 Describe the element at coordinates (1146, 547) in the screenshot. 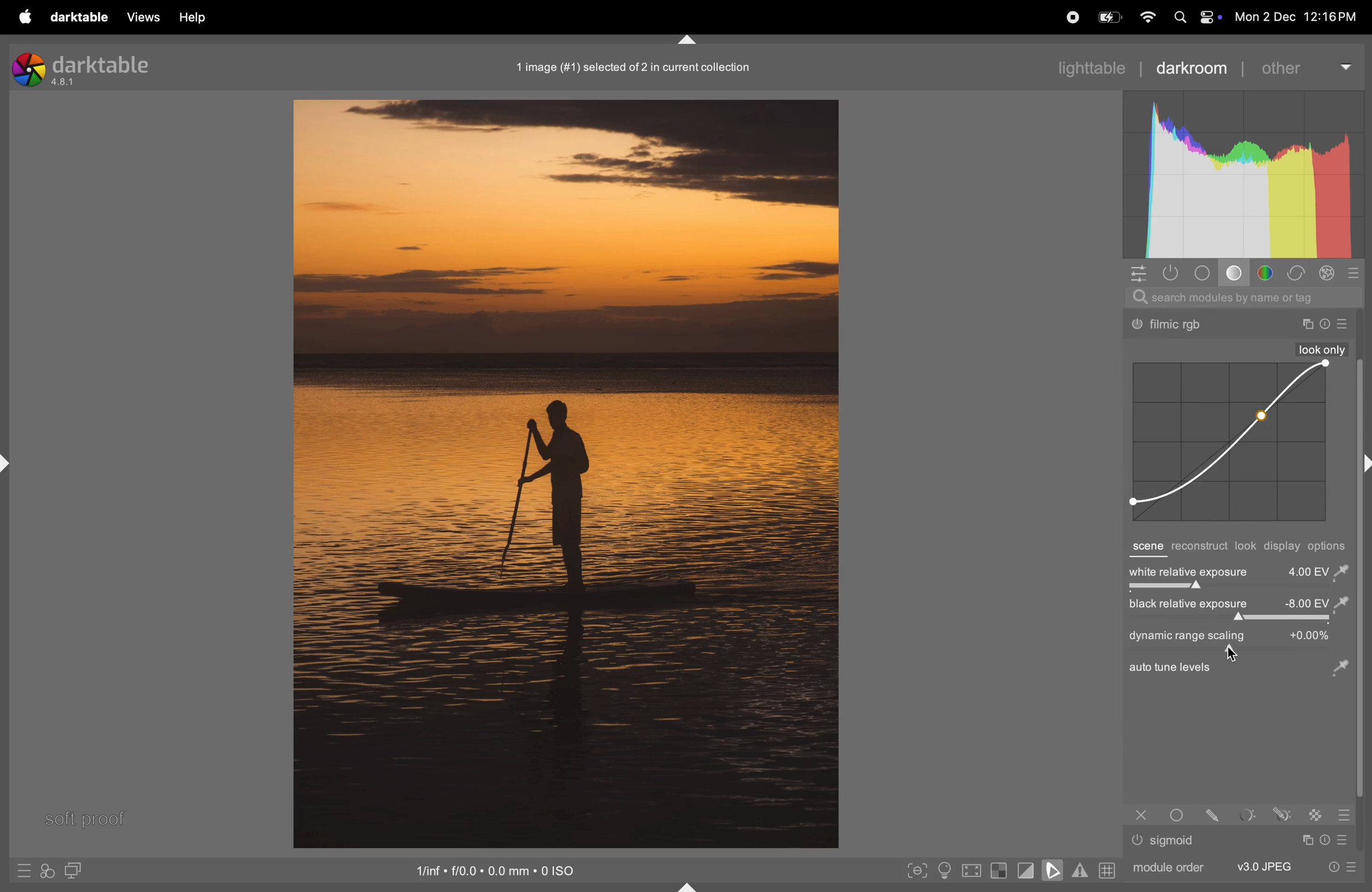

I see `scene` at that location.